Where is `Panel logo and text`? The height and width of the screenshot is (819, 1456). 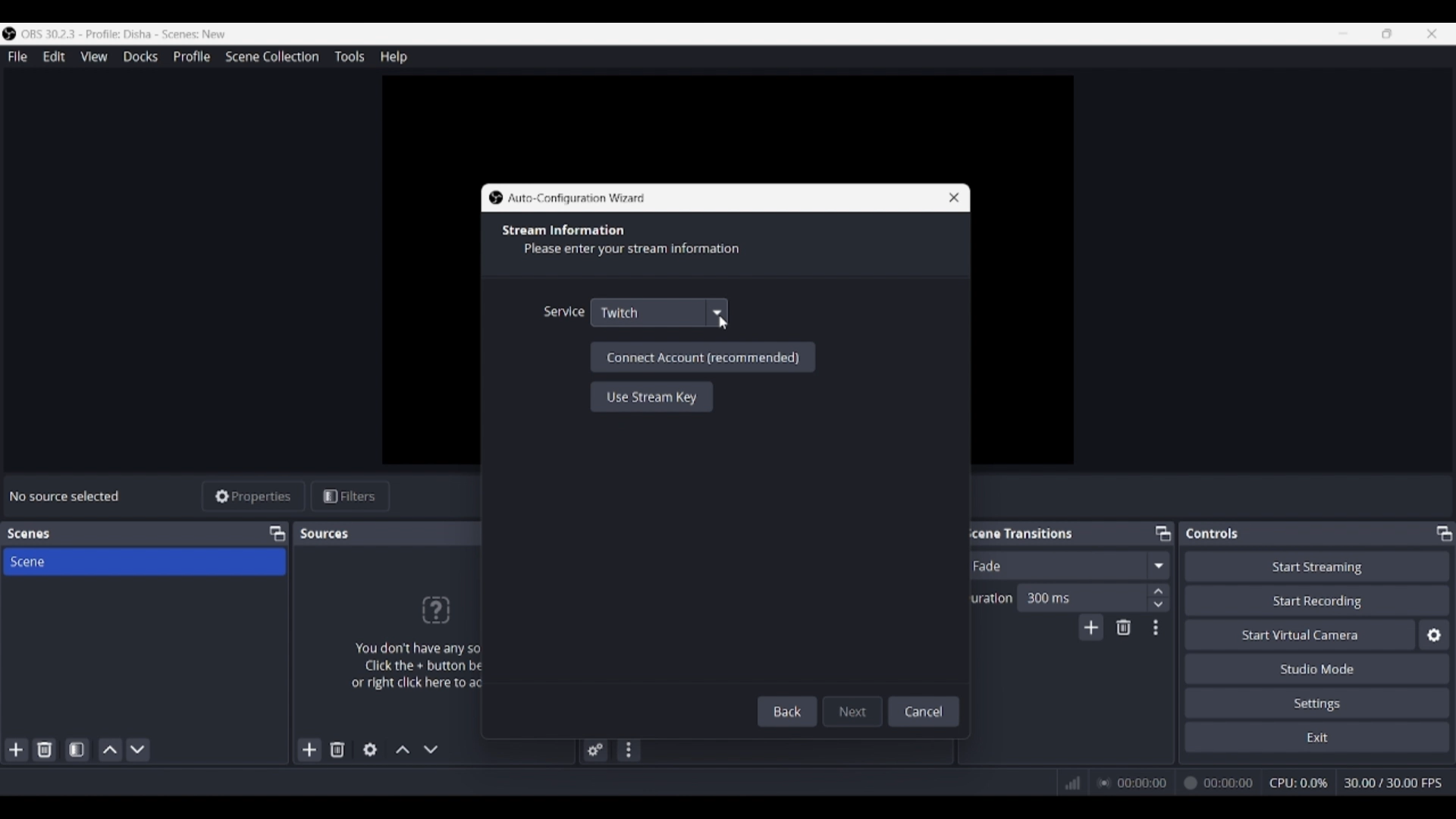 Panel logo and text is located at coordinates (434, 642).